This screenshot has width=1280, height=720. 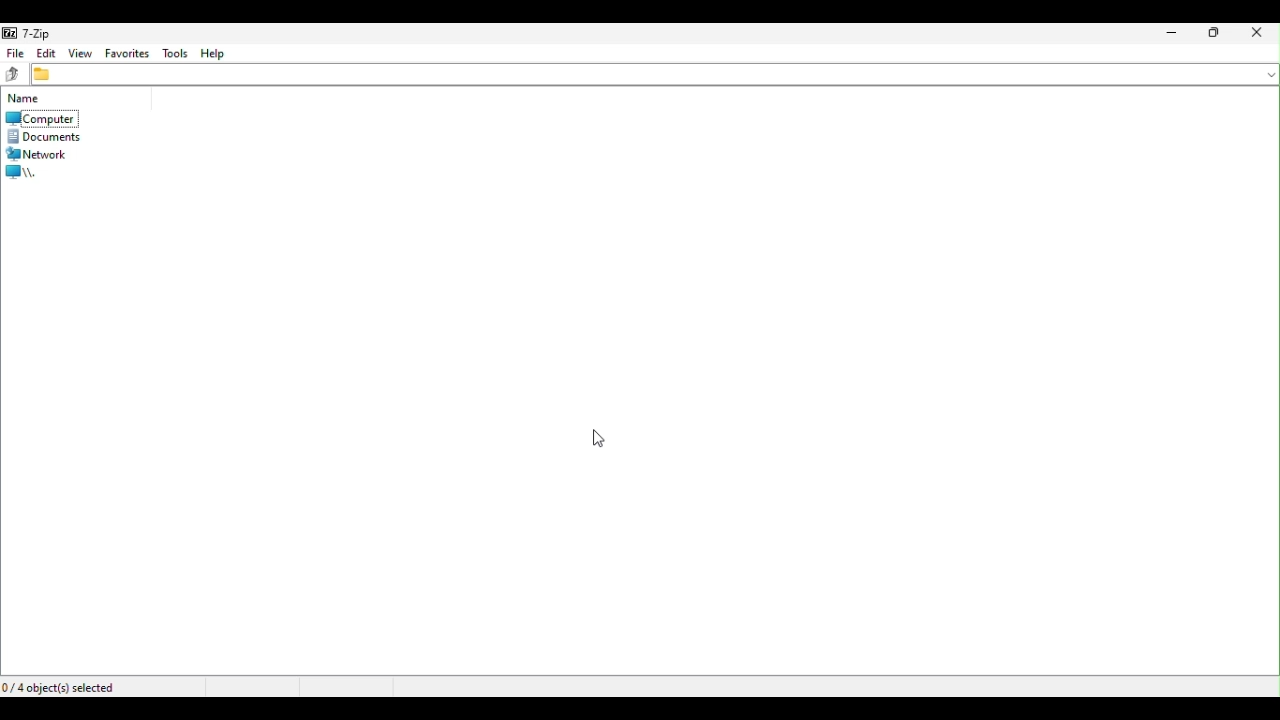 What do you see at coordinates (130, 53) in the screenshot?
I see `Favourite` at bounding box center [130, 53].